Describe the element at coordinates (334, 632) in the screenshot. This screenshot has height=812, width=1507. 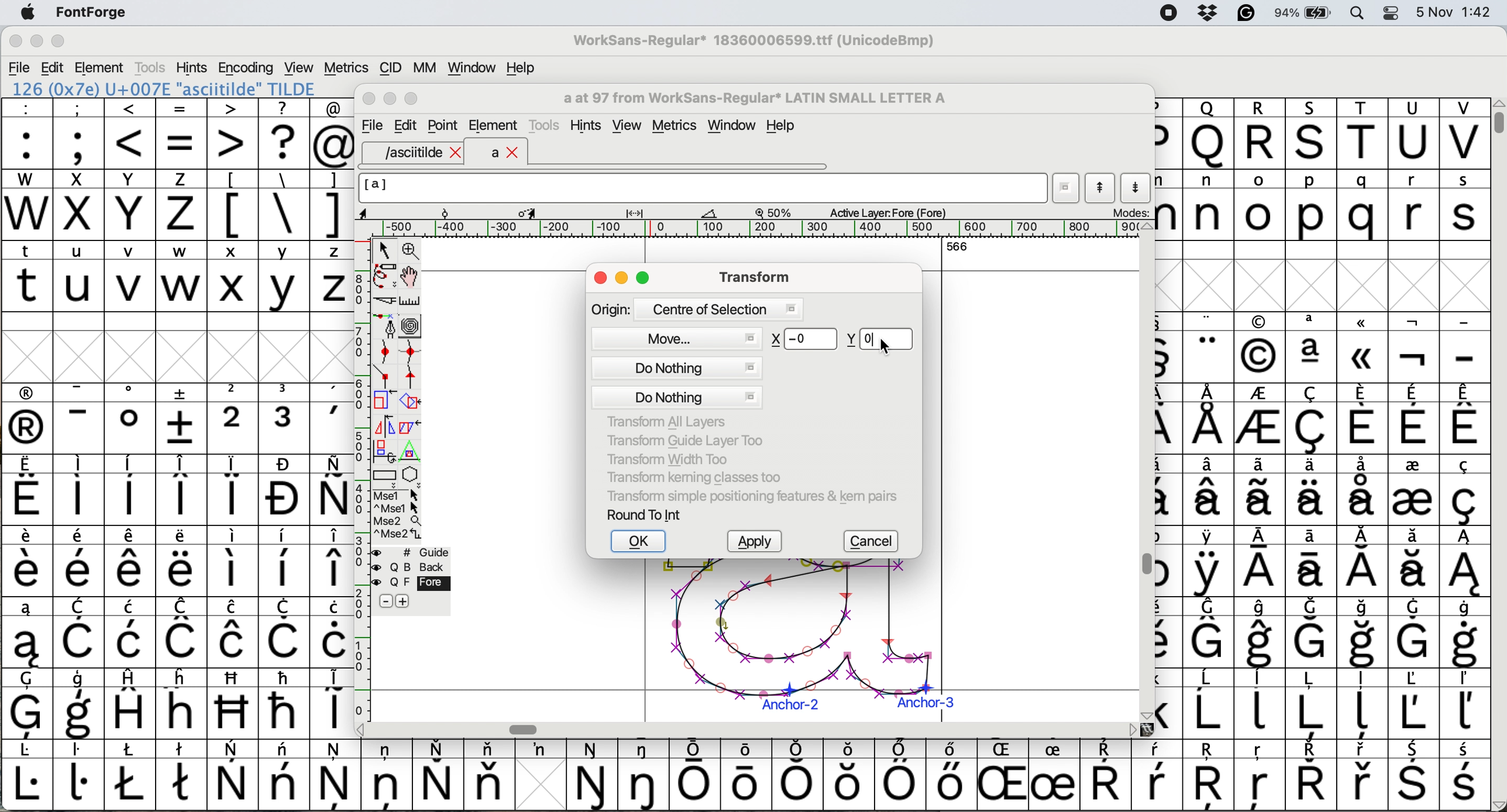
I see `symbol` at that location.